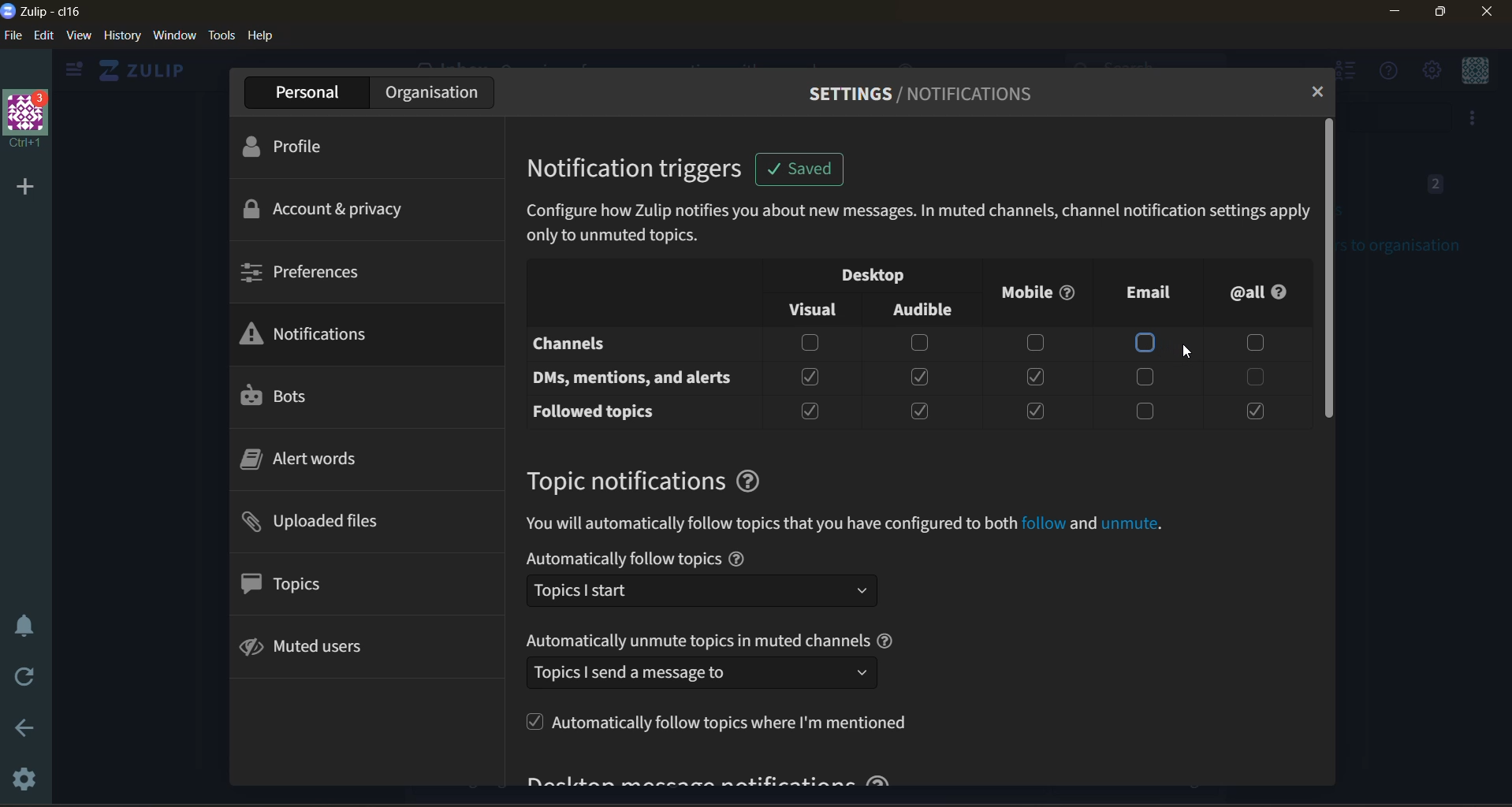 The height and width of the screenshot is (807, 1512). I want to click on dm's , mentions and alerts, so click(637, 379).